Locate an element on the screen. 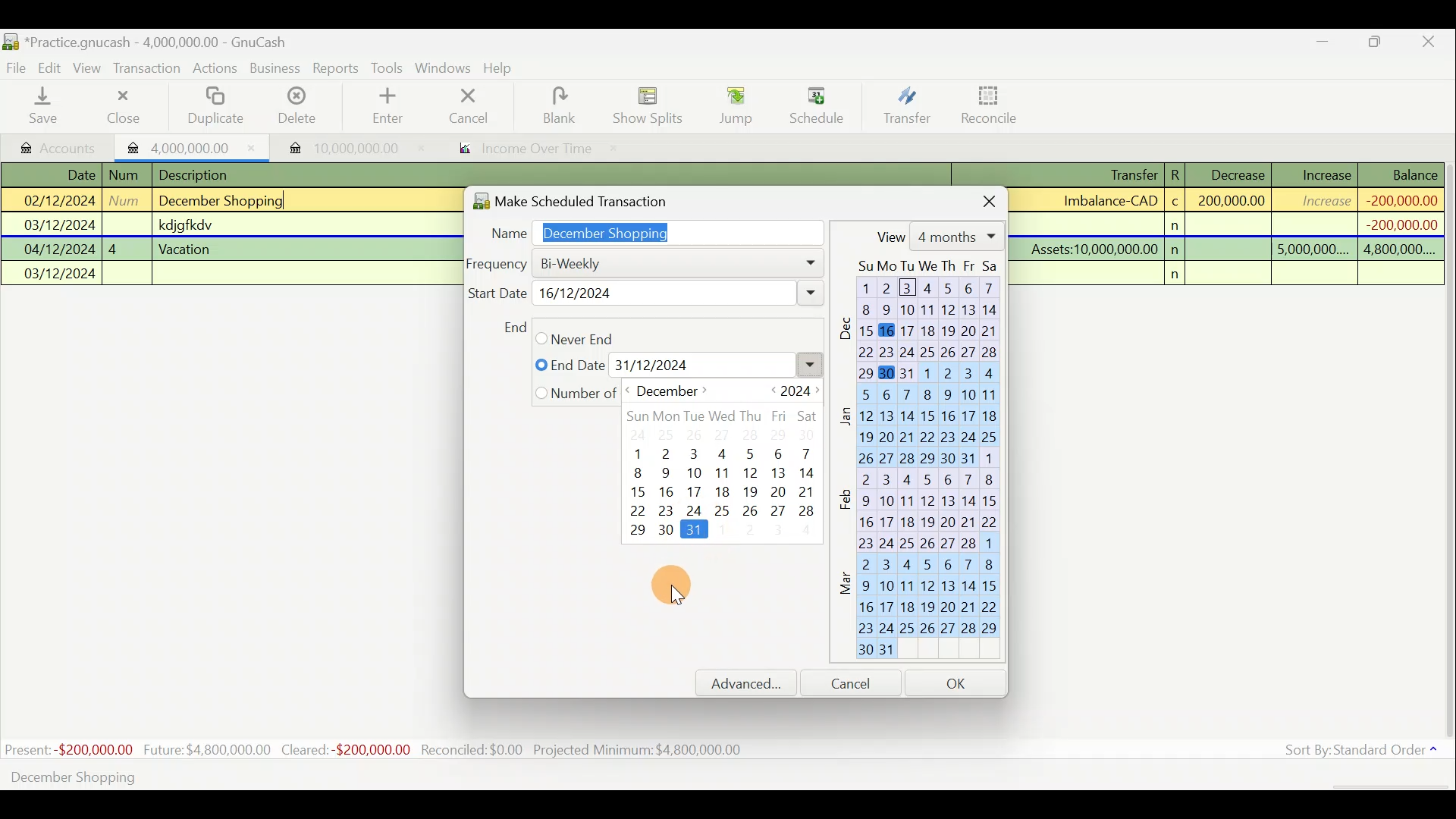  Reconcile is located at coordinates (995, 104).